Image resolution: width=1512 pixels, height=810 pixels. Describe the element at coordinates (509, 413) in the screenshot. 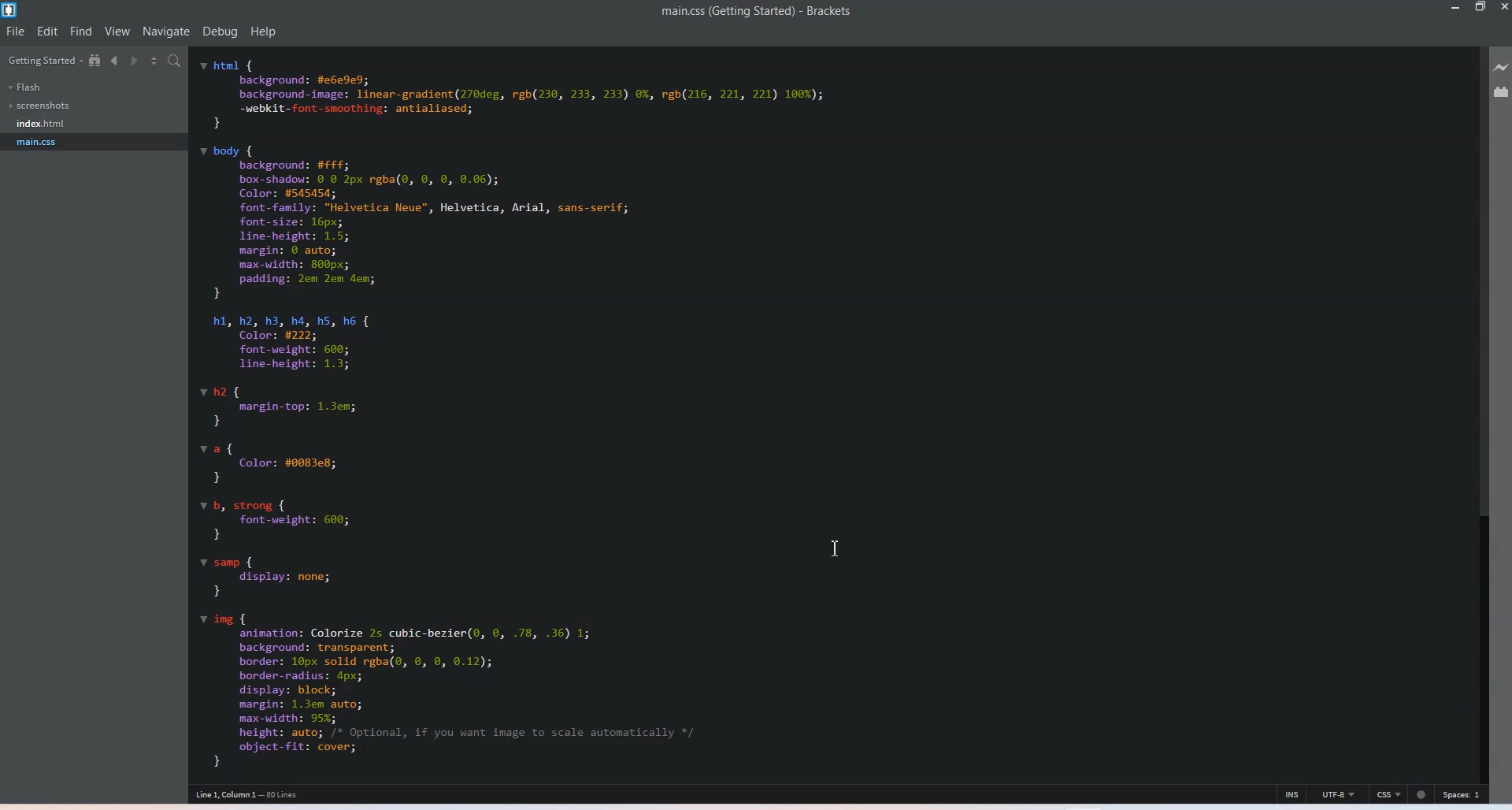

I see `code` at that location.